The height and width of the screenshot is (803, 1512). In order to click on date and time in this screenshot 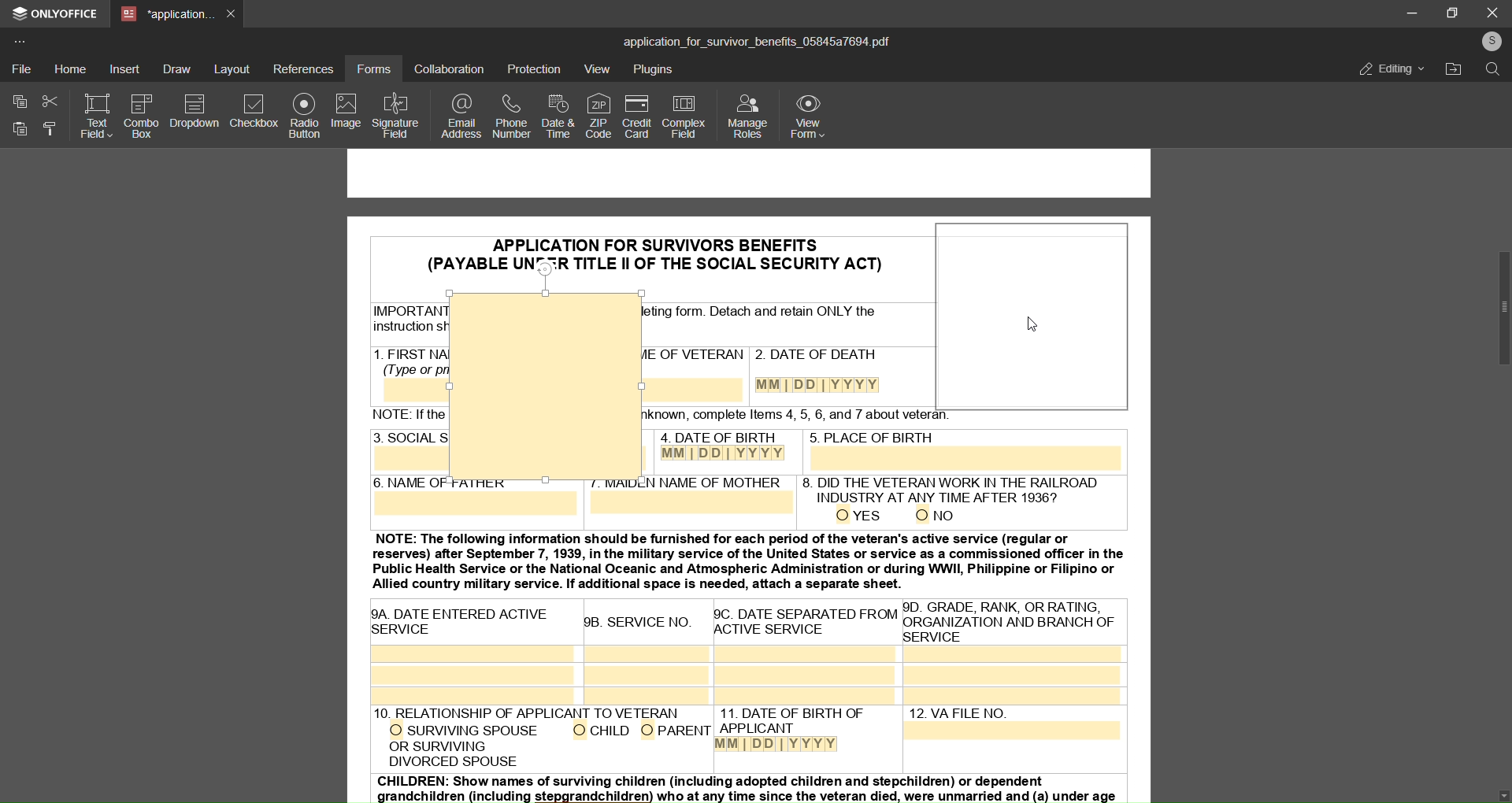, I will do `click(556, 116)`.